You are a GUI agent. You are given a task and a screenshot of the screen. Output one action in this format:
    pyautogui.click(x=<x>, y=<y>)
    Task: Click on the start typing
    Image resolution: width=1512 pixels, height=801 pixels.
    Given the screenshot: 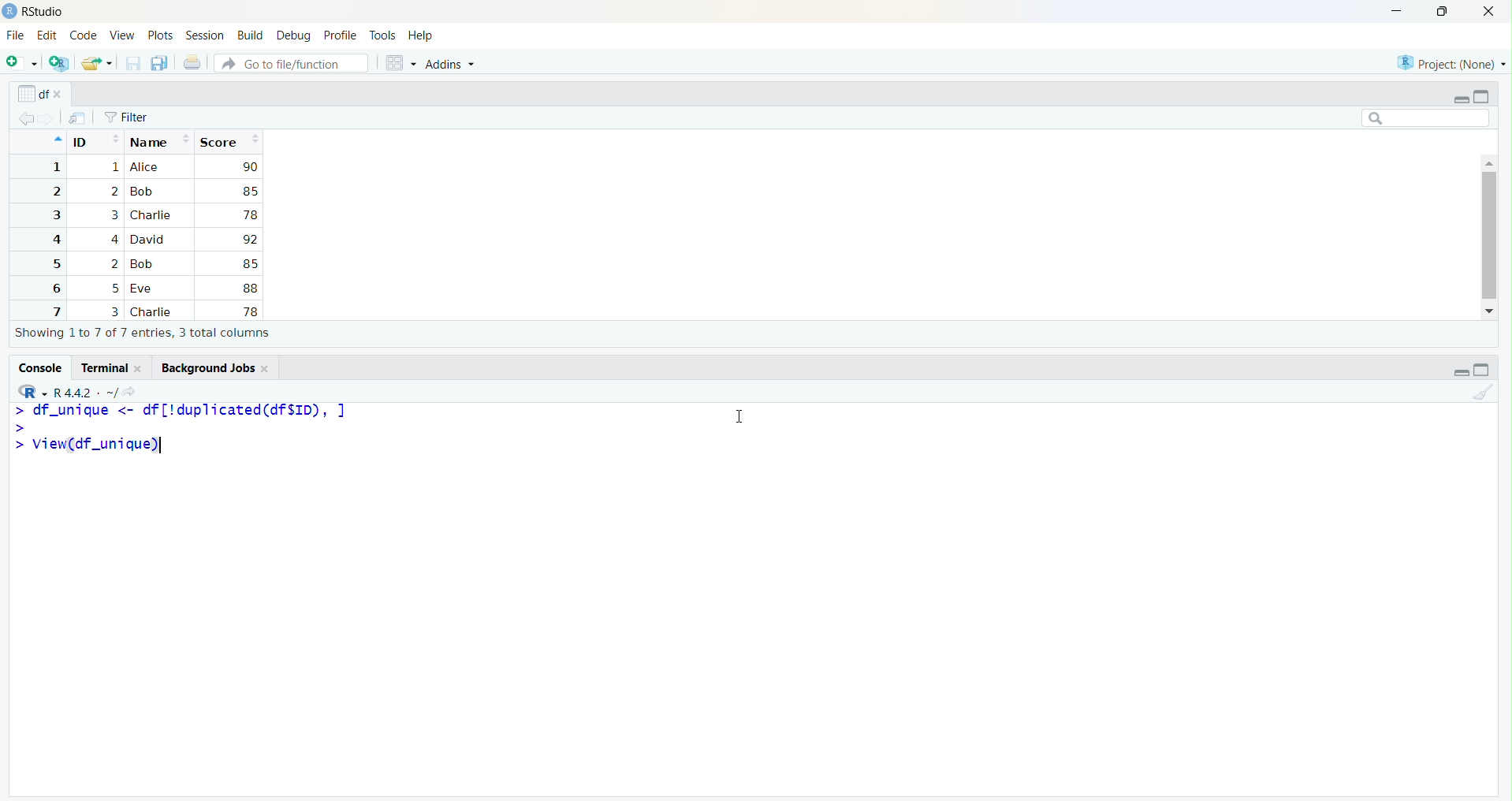 What is the action you would take?
    pyautogui.click(x=17, y=411)
    